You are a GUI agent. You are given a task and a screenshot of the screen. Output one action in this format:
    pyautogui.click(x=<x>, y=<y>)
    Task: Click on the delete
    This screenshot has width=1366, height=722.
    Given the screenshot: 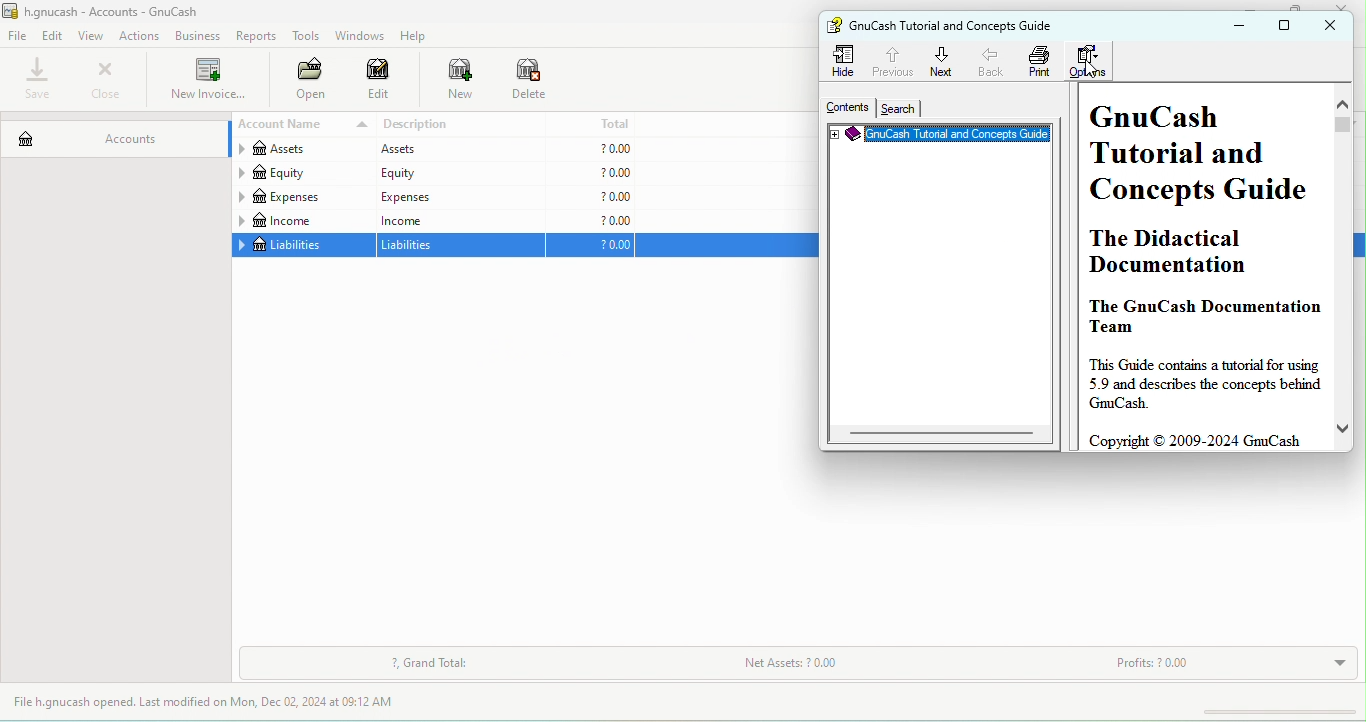 What is the action you would take?
    pyautogui.click(x=531, y=81)
    